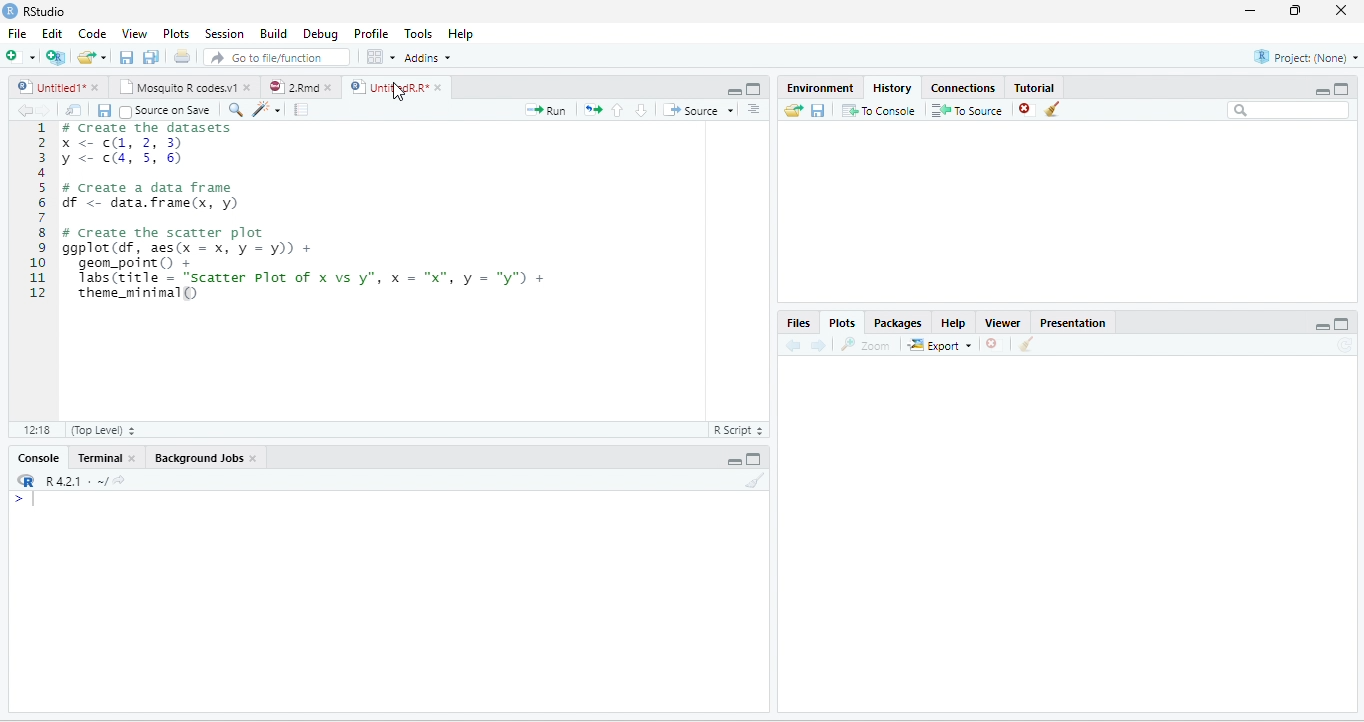 Image resolution: width=1364 pixels, height=722 pixels. What do you see at coordinates (34, 11) in the screenshot?
I see `RStudio` at bounding box center [34, 11].